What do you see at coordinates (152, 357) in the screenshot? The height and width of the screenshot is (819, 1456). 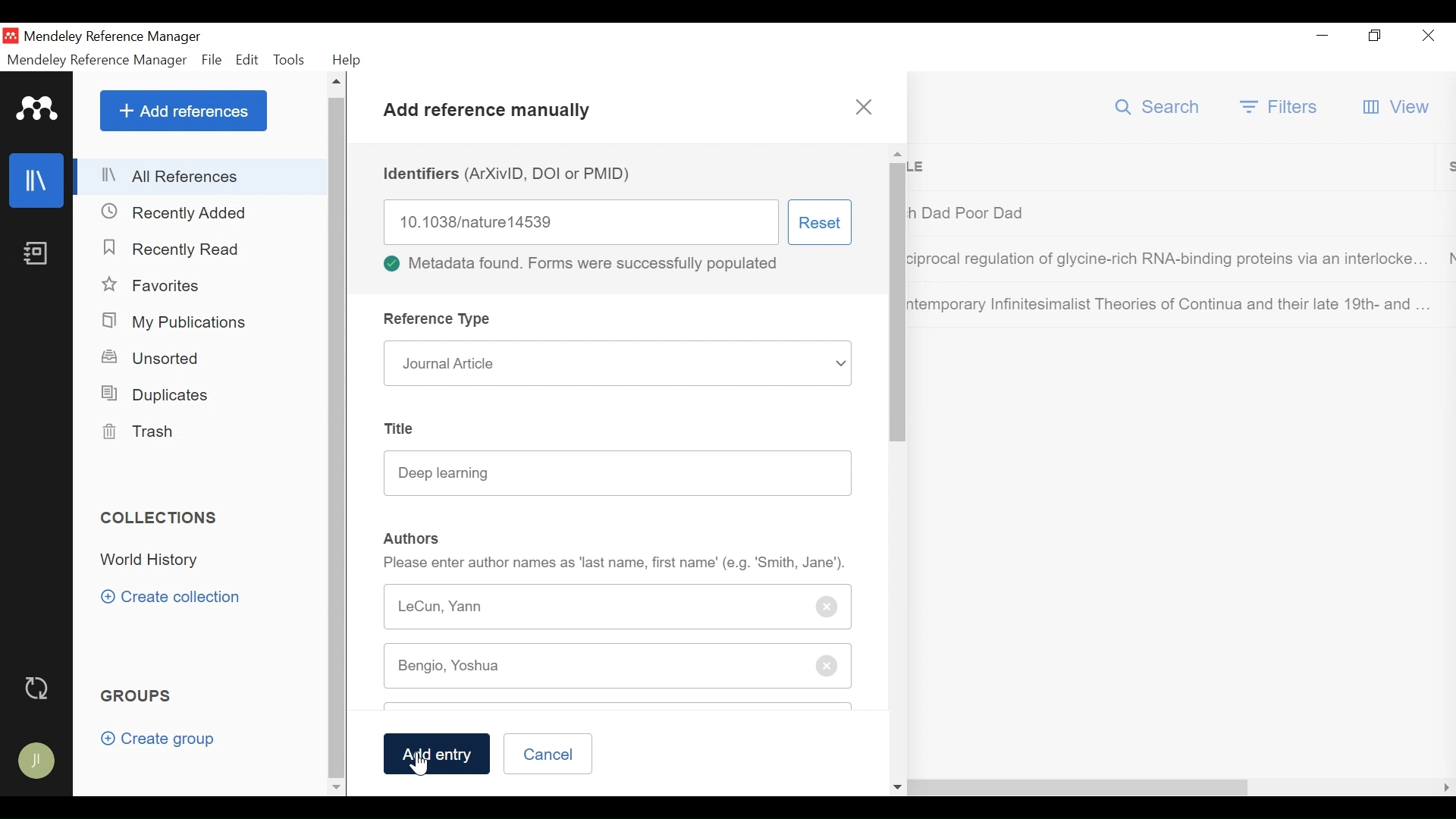 I see `Unsorted` at bounding box center [152, 357].